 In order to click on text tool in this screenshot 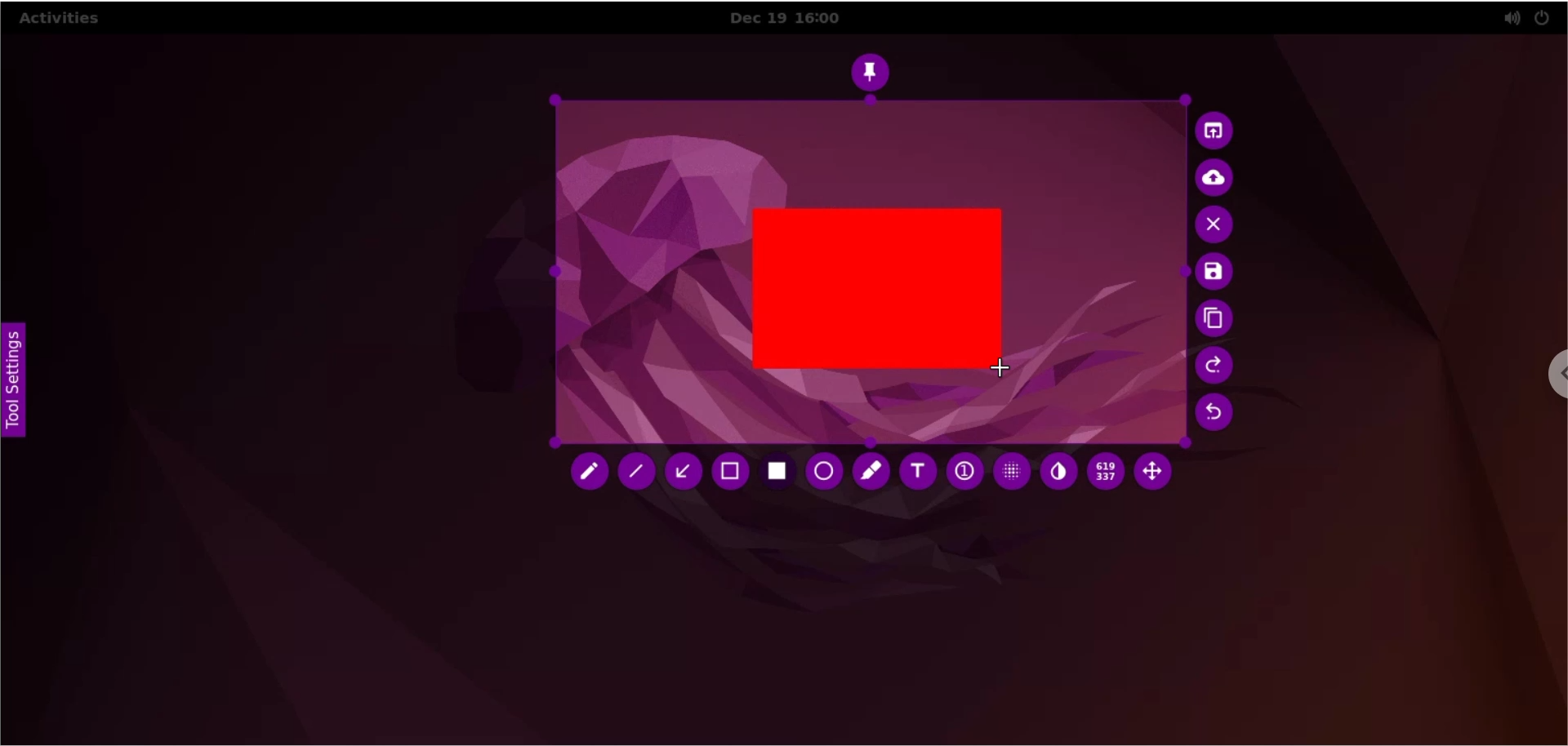, I will do `click(917, 473)`.